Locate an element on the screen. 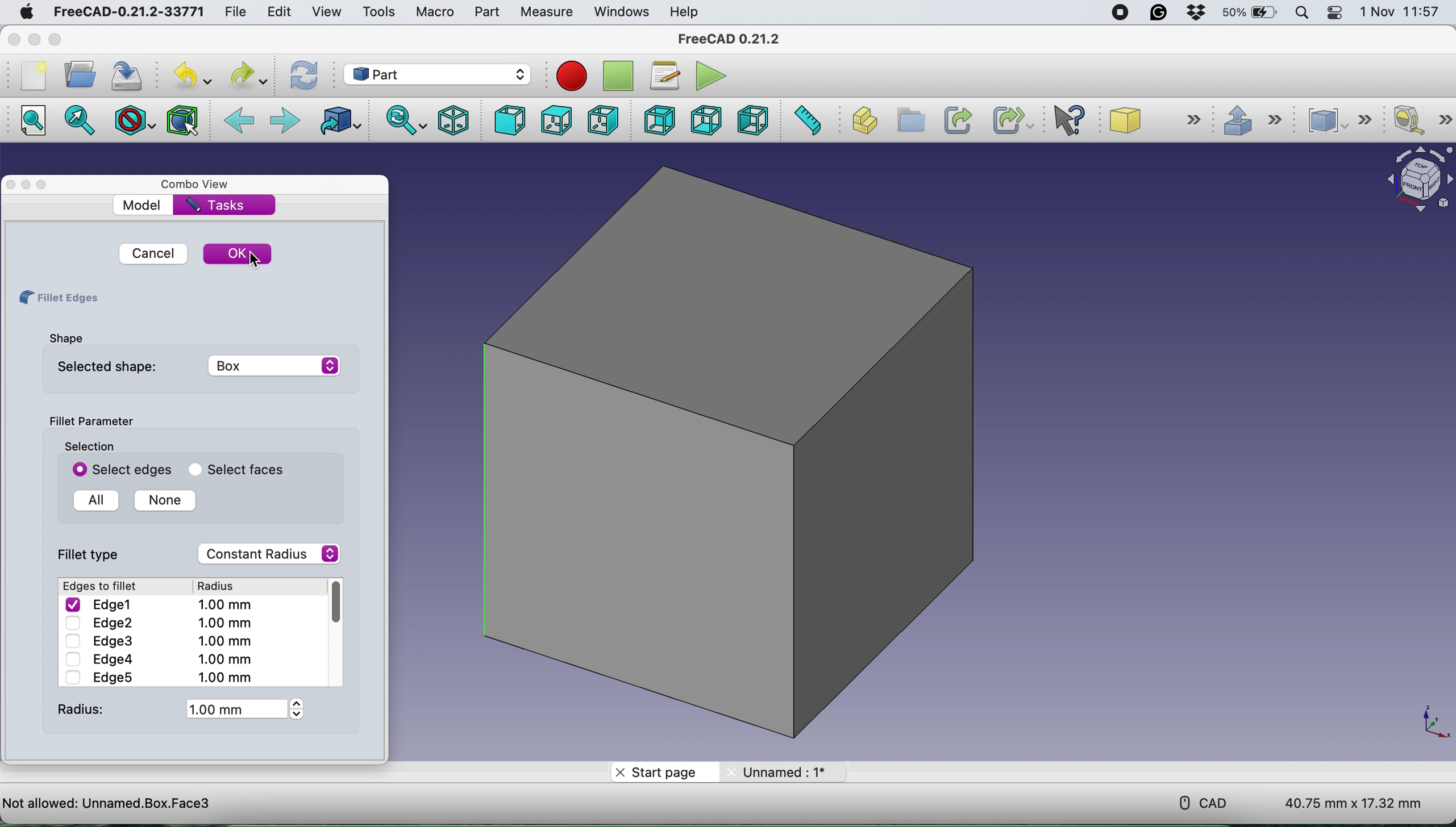  grammarly is located at coordinates (1162, 13).